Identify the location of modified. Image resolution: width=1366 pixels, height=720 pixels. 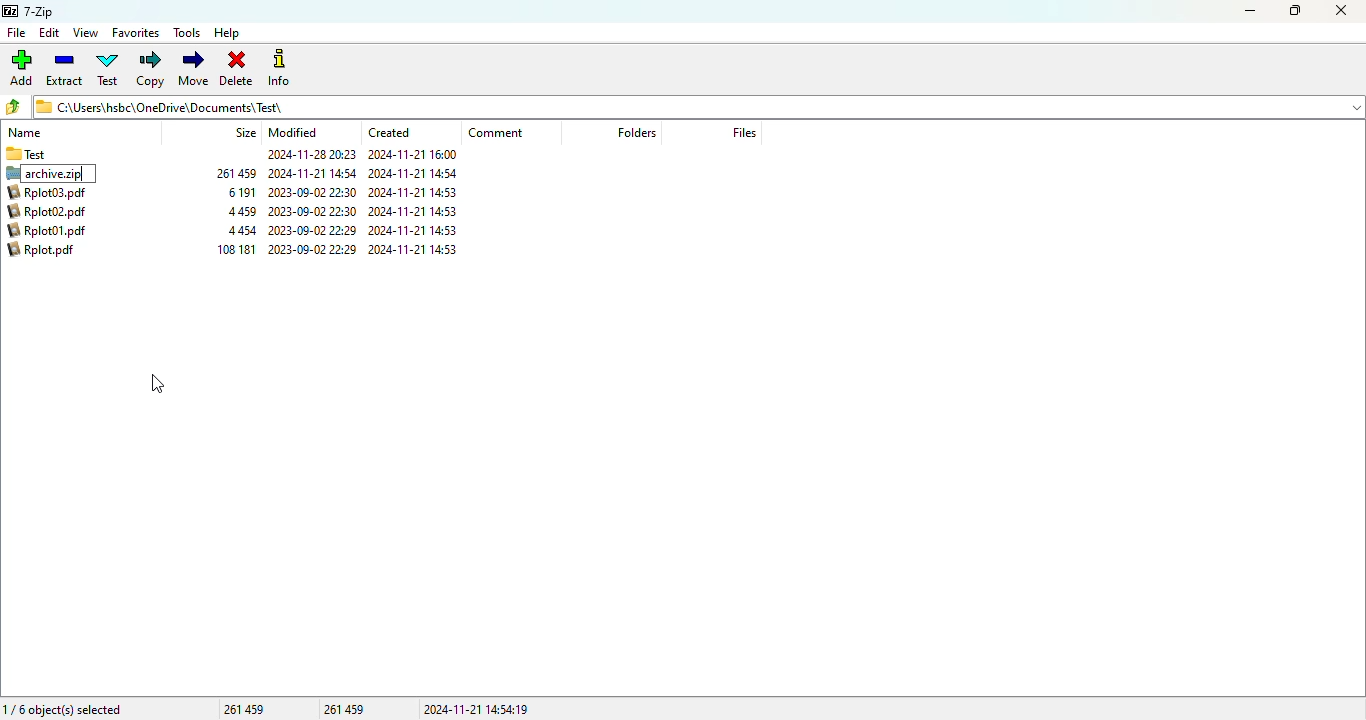
(294, 132).